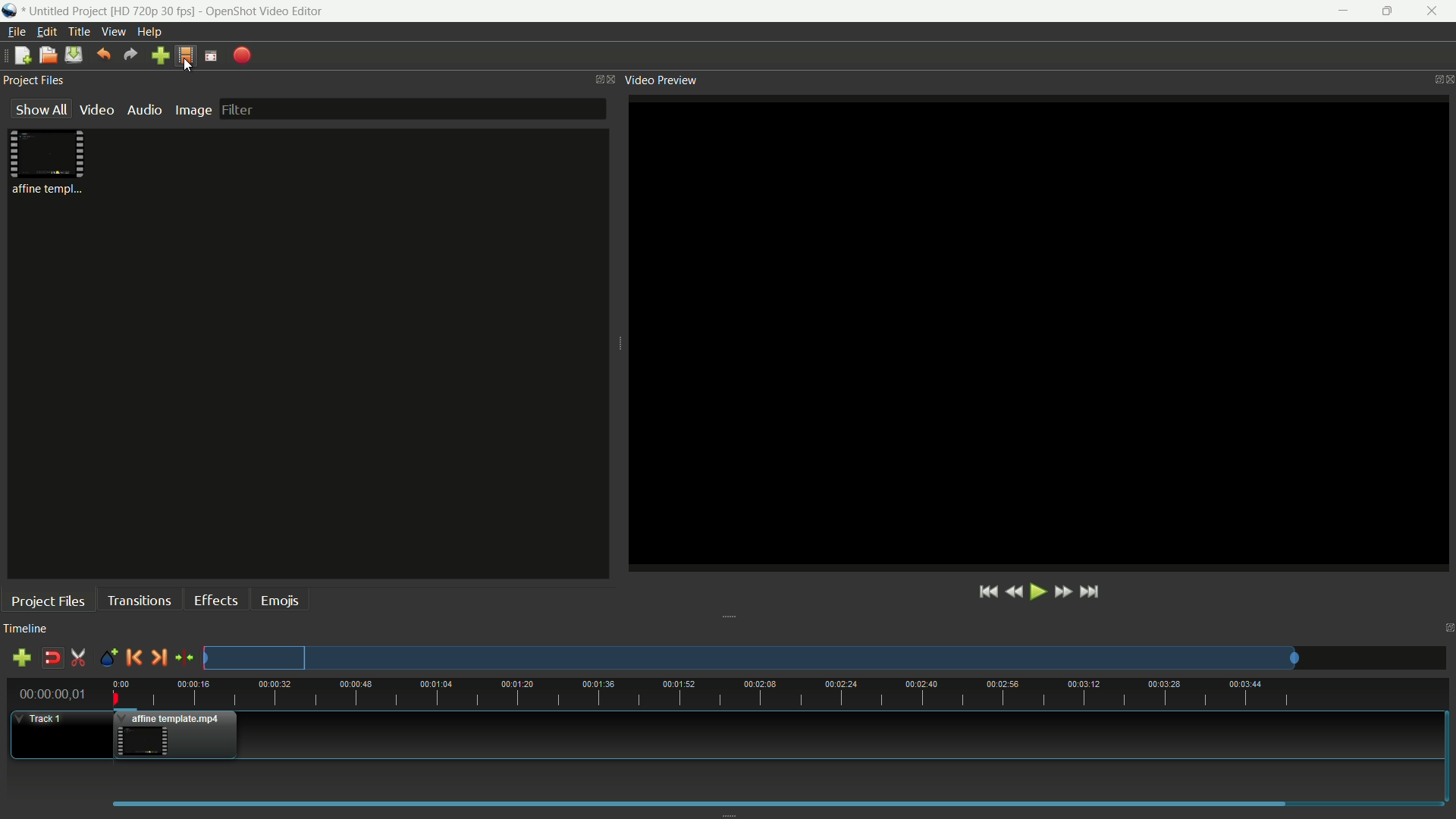 The image size is (1456, 819). What do you see at coordinates (47, 602) in the screenshot?
I see `project files` at bounding box center [47, 602].